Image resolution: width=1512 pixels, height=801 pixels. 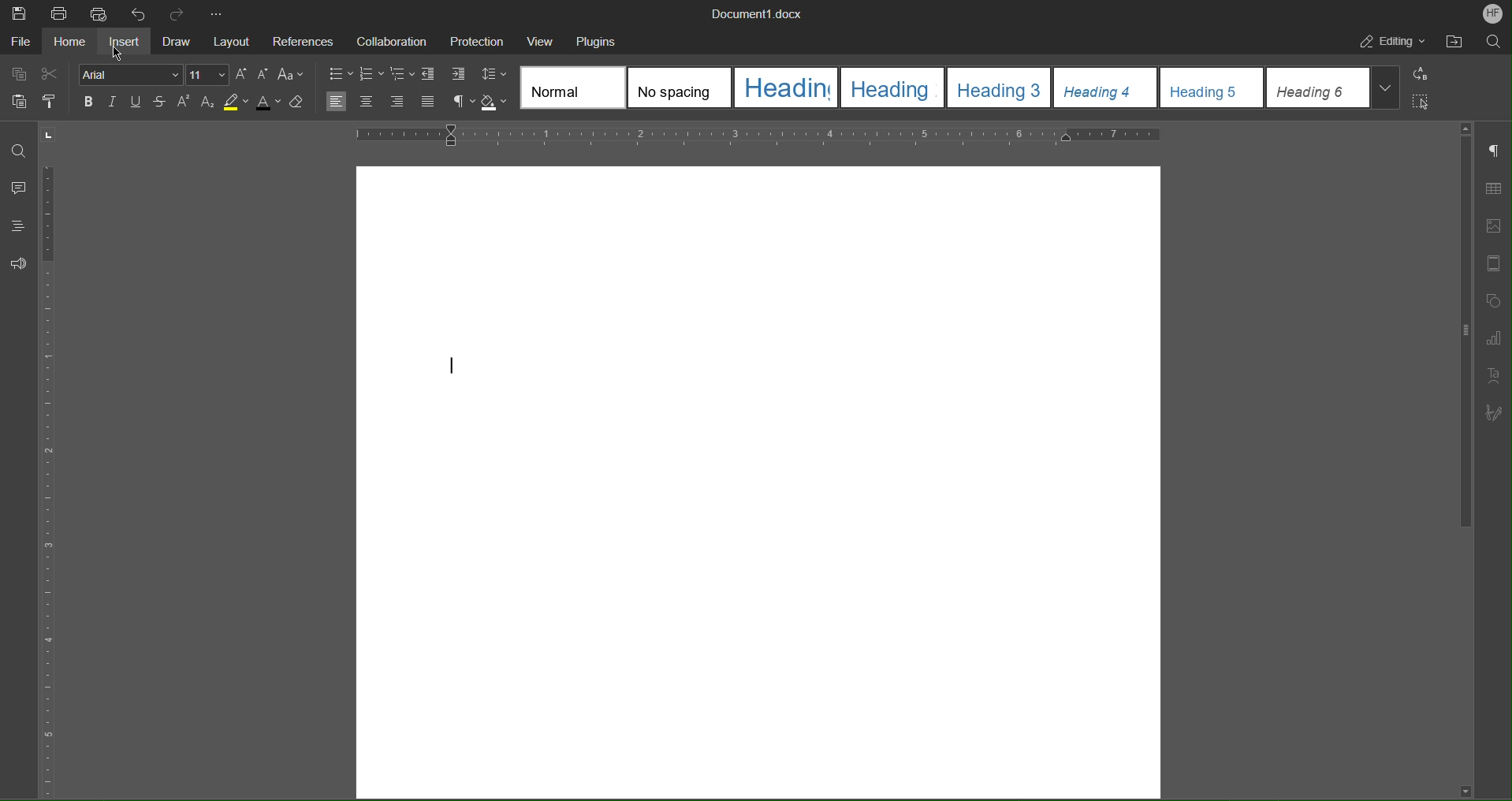 What do you see at coordinates (681, 87) in the screenshot?
I see `No spacing` at bounding box center [681, 87].